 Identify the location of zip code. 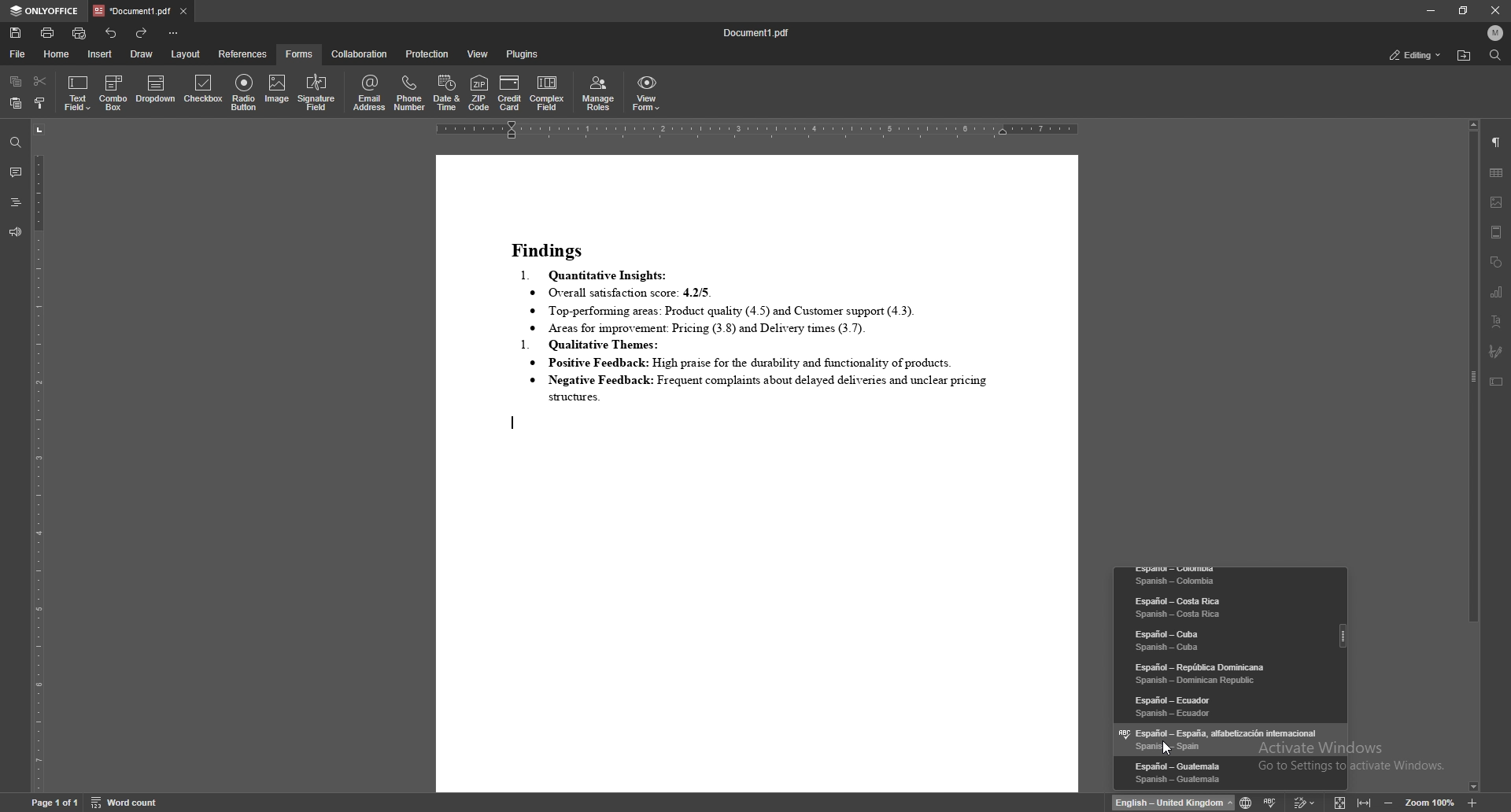
(480, 92).